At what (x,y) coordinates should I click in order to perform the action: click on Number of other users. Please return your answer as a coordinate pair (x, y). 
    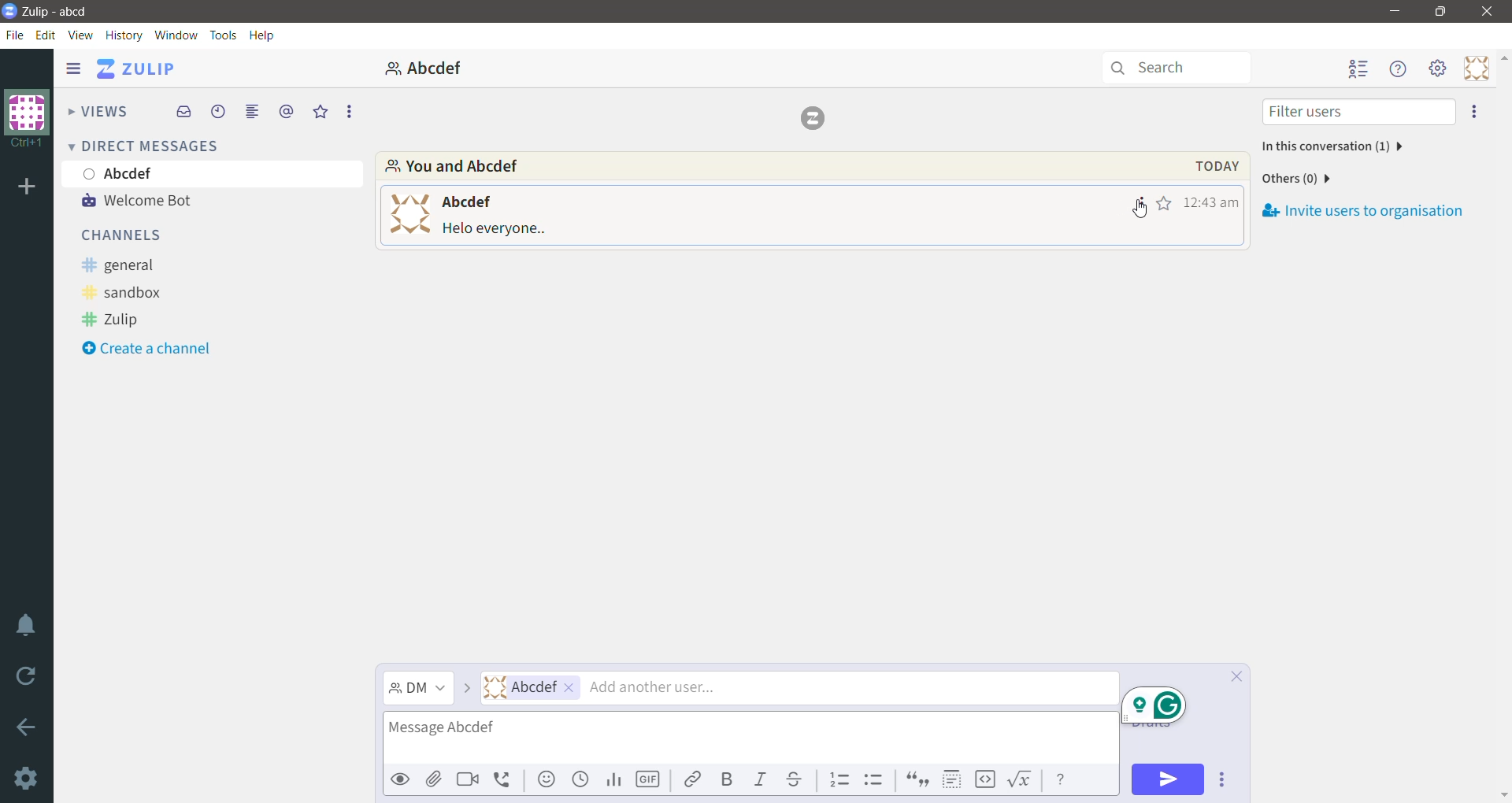
    Looking at the image, I should click on (1297, 179).